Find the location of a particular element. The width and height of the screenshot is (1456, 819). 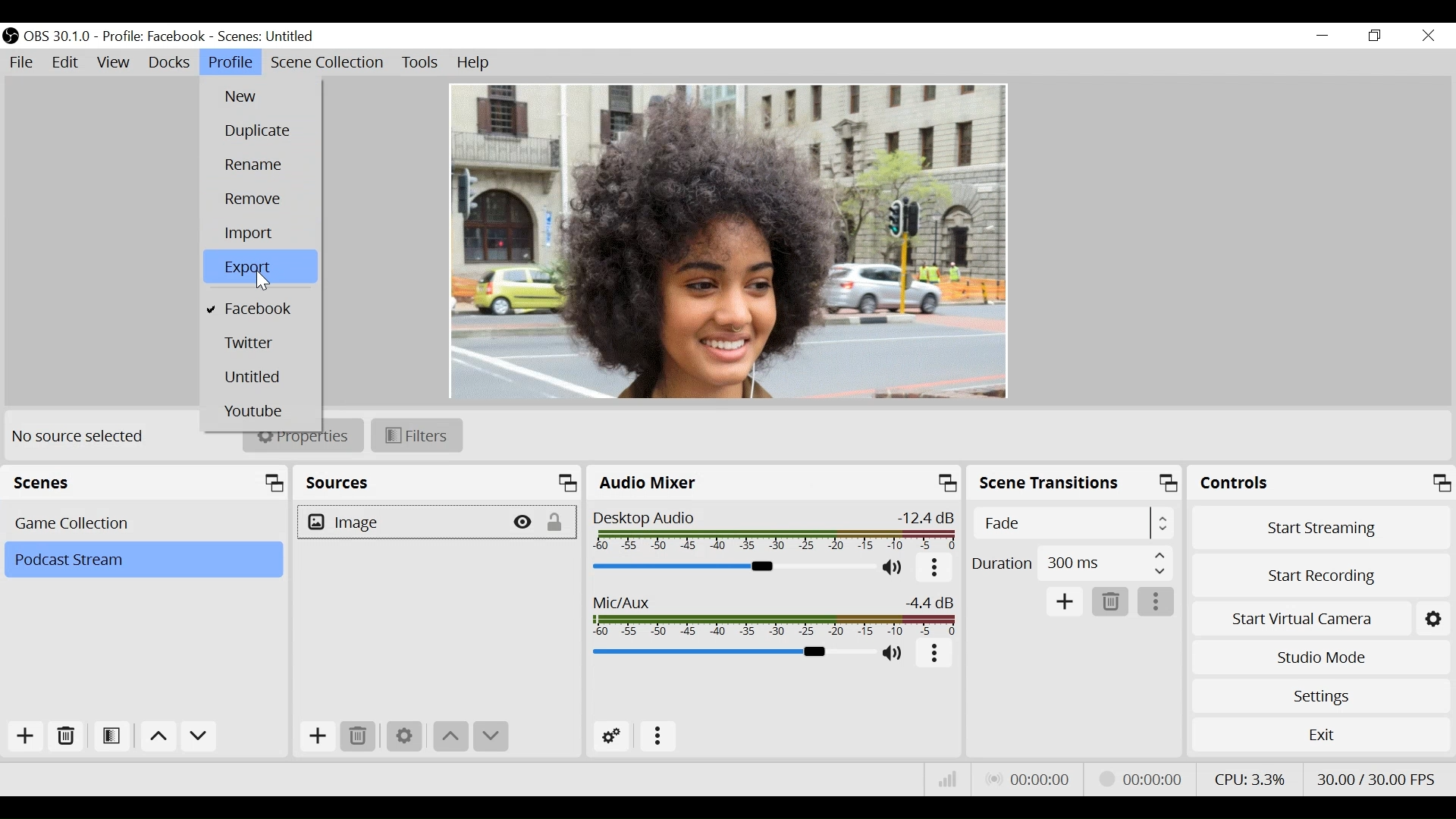

Stream Status is located at coordinates (1150, 779).